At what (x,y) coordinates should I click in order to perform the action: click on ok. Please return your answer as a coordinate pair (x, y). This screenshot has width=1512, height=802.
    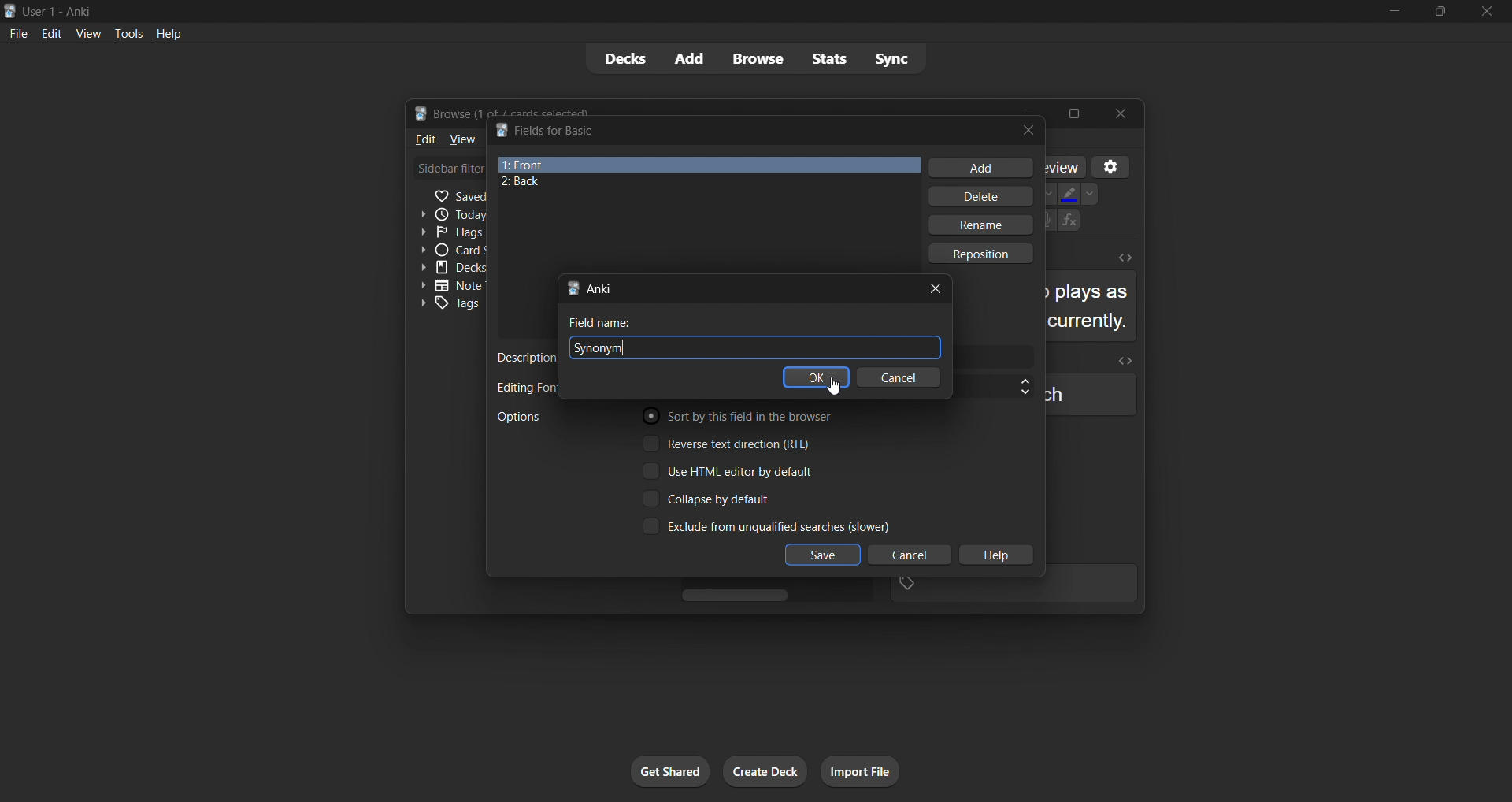
    Looking at the image, I should click on (814, 377).